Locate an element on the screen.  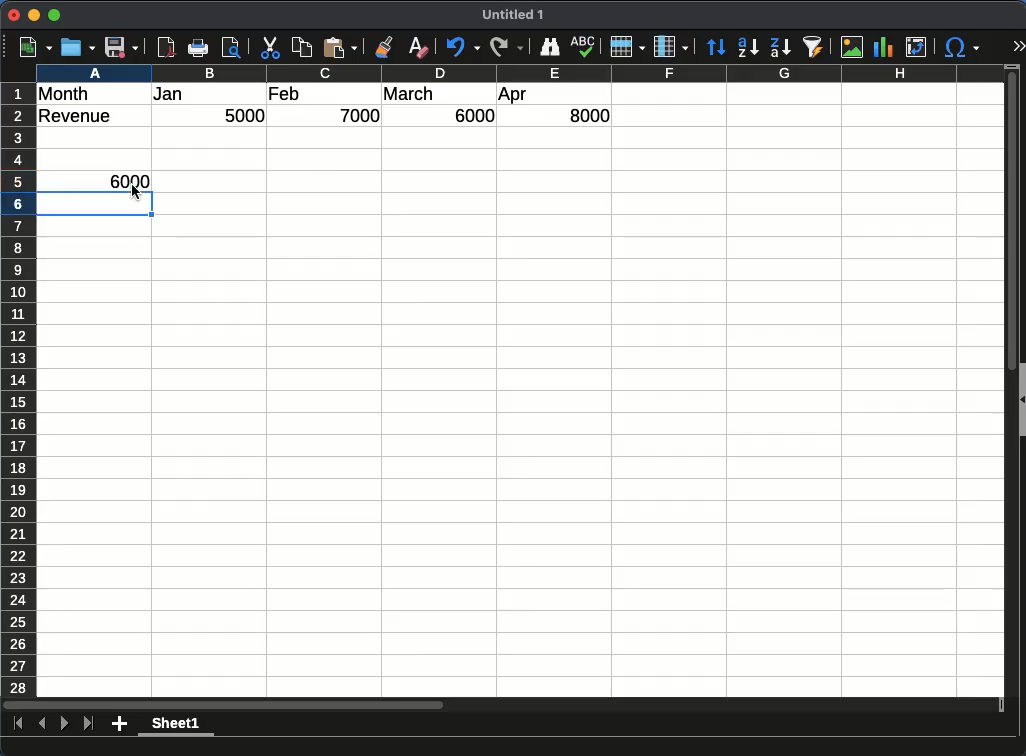
clone formatting is located at coordinates (383, 47).